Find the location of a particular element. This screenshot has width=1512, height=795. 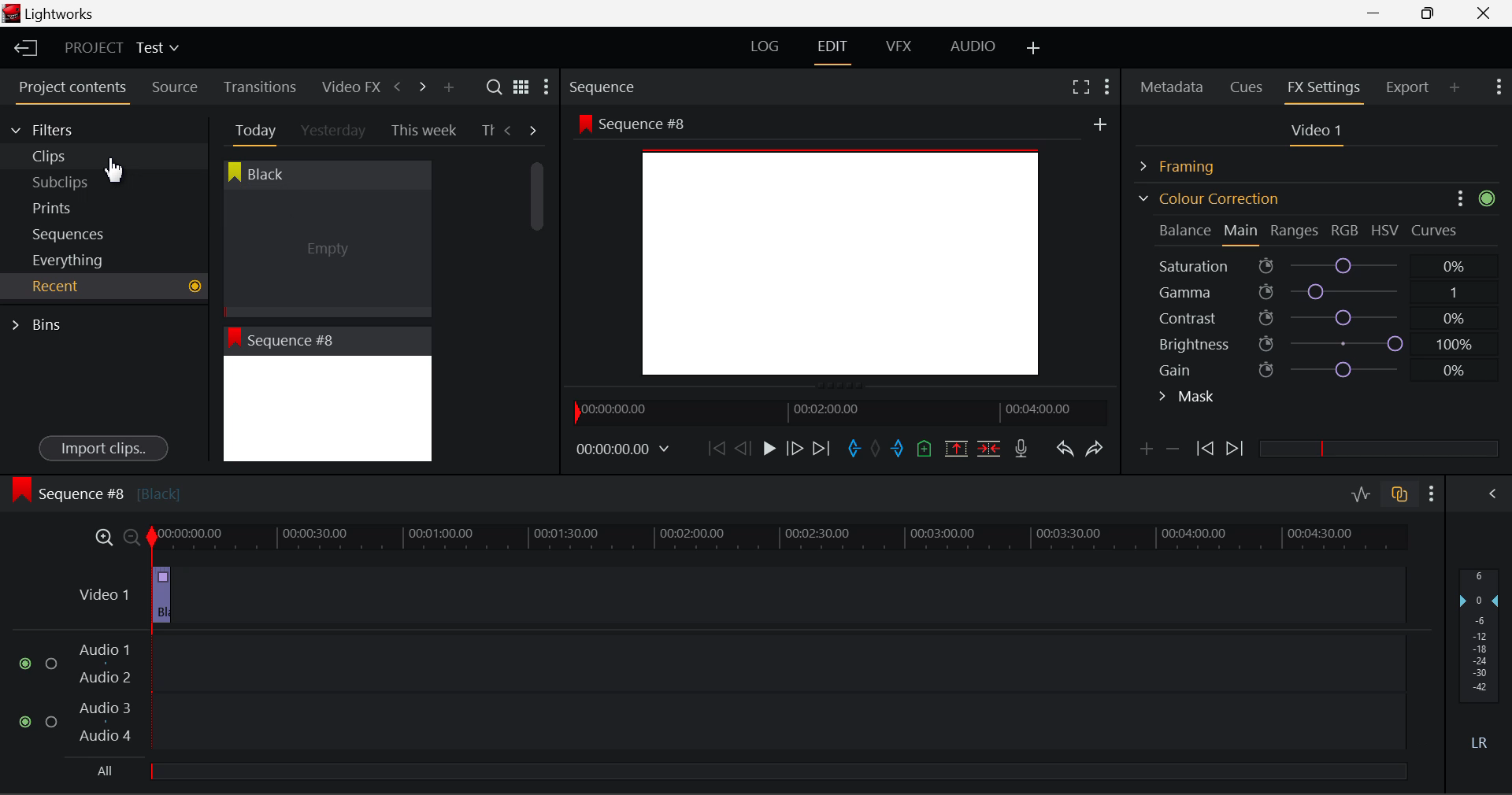

Curves is located at coordinates (1436, 230).